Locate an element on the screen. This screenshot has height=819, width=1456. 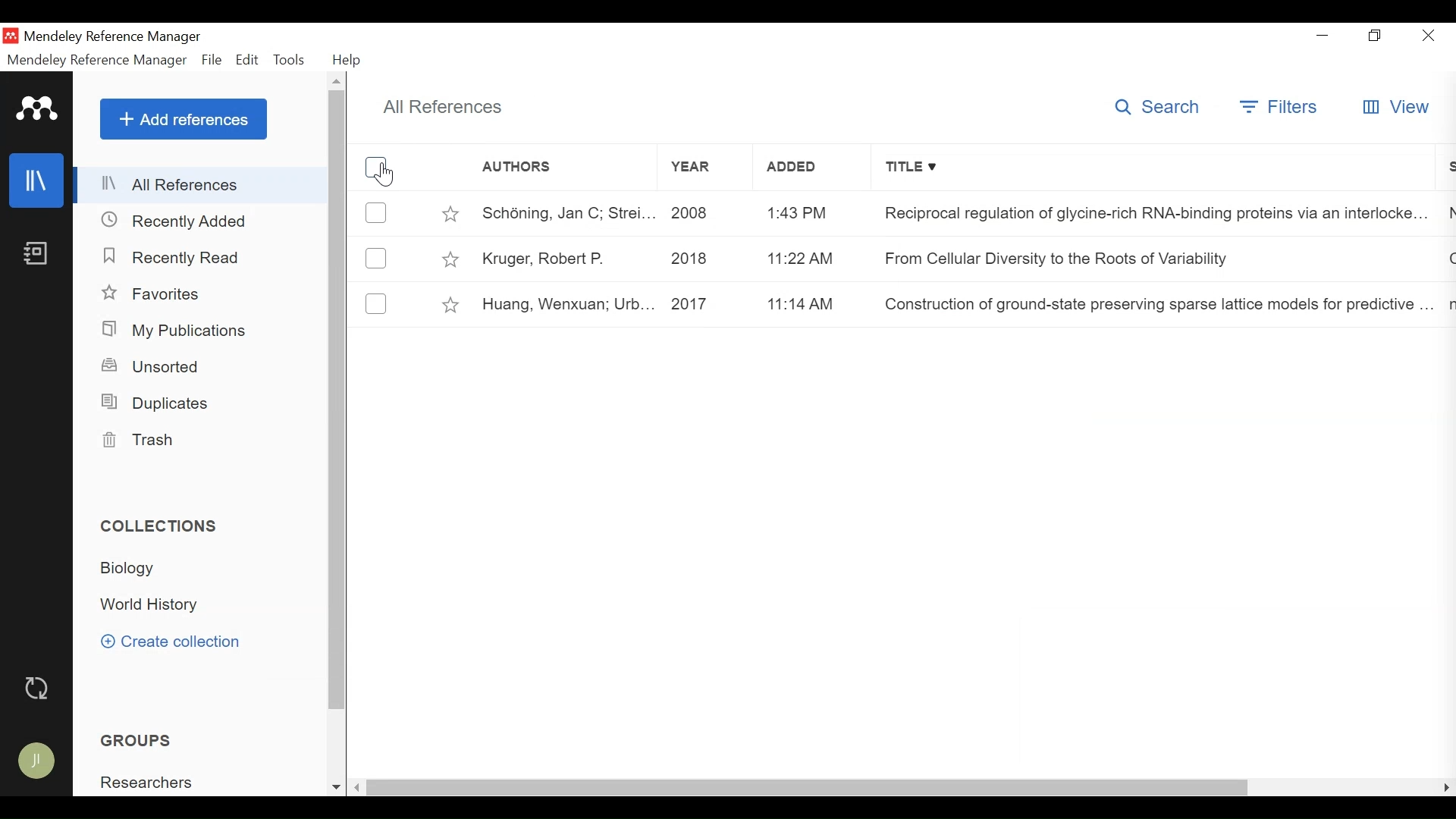
Toggle Favorites is located at coordinates (453, 259).